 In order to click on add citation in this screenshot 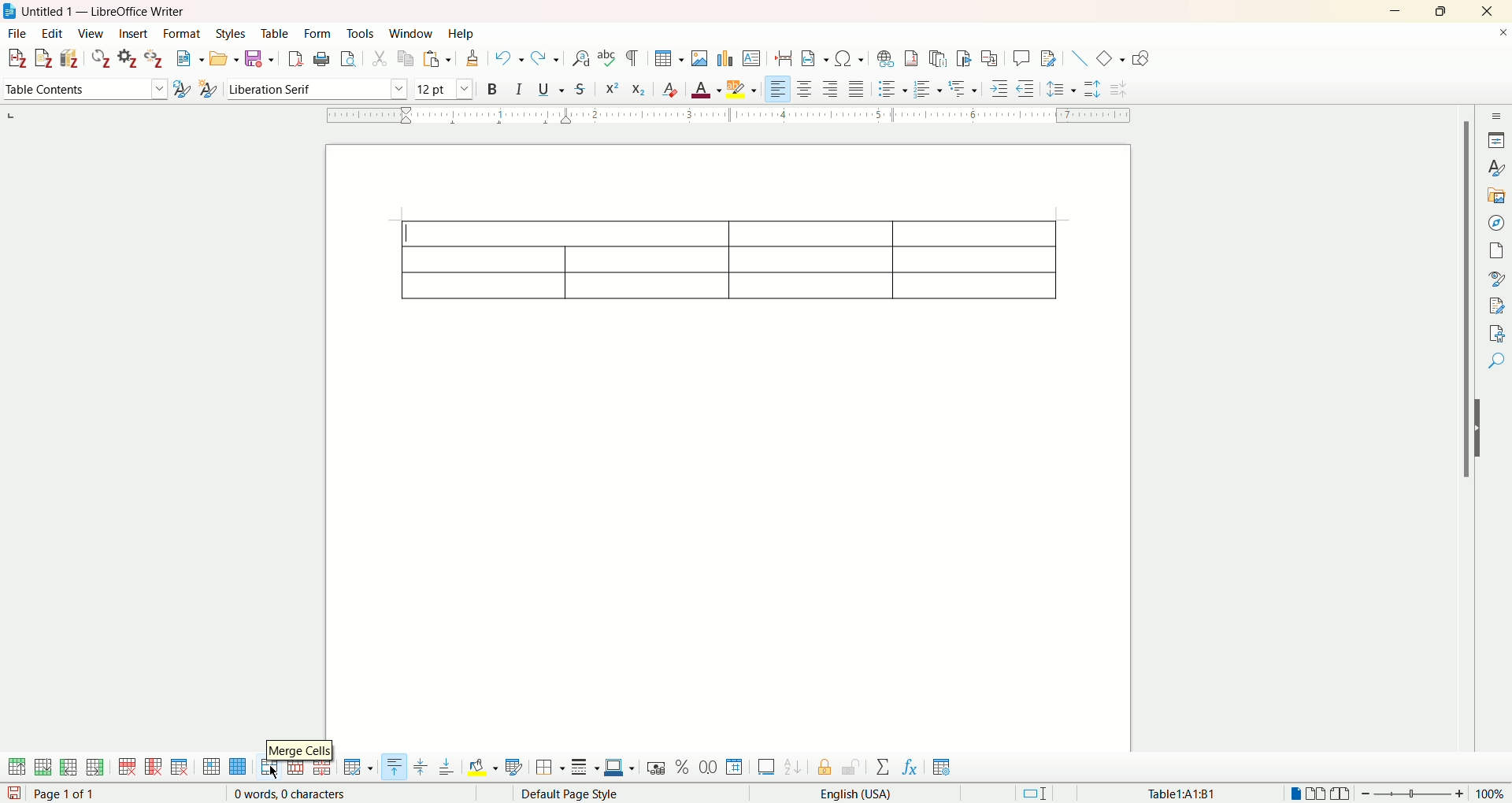, I will do `click(16, 60)`.